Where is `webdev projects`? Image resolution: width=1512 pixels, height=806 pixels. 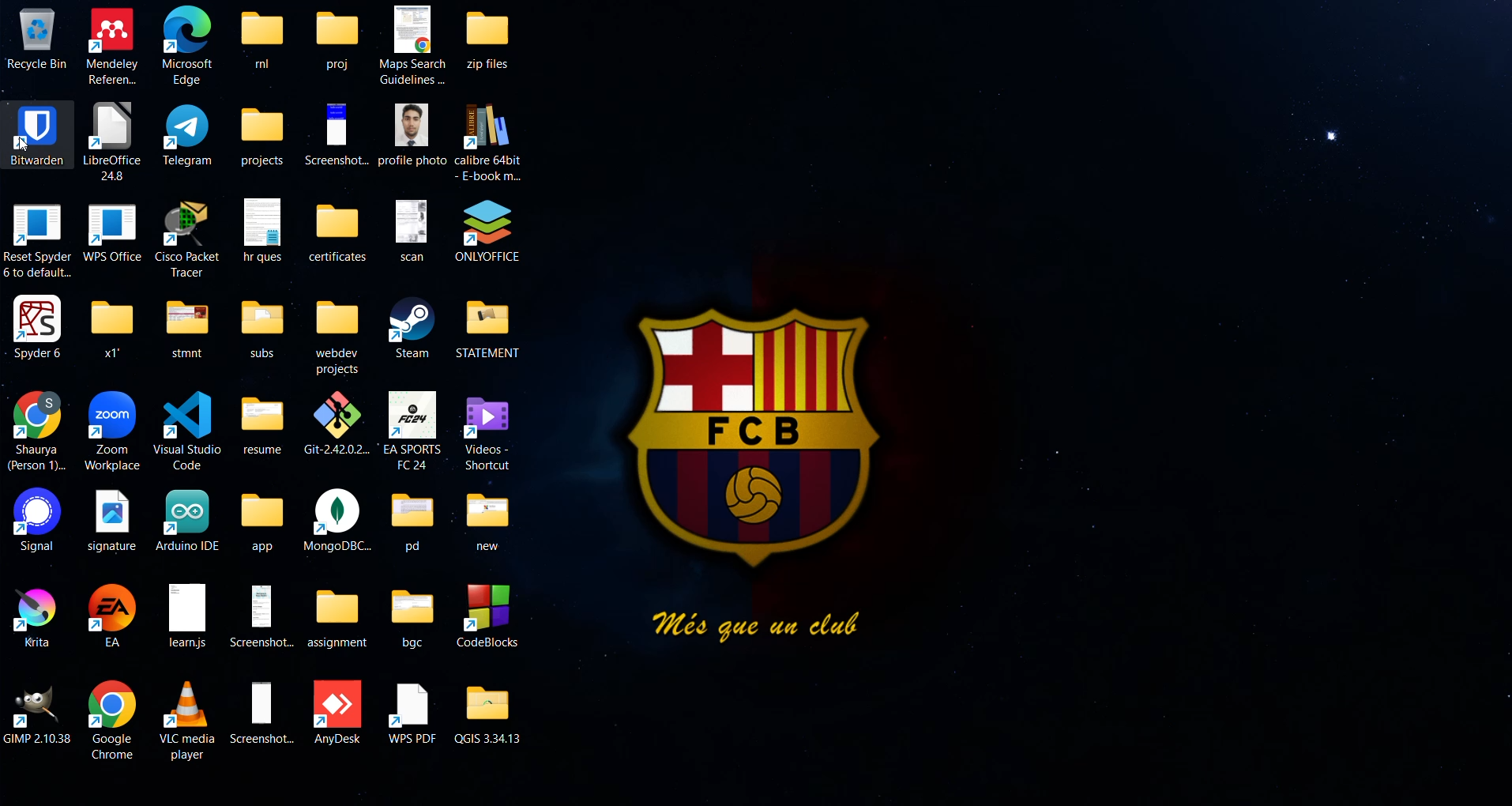 webdev projects is located at coordinates (337, 336).